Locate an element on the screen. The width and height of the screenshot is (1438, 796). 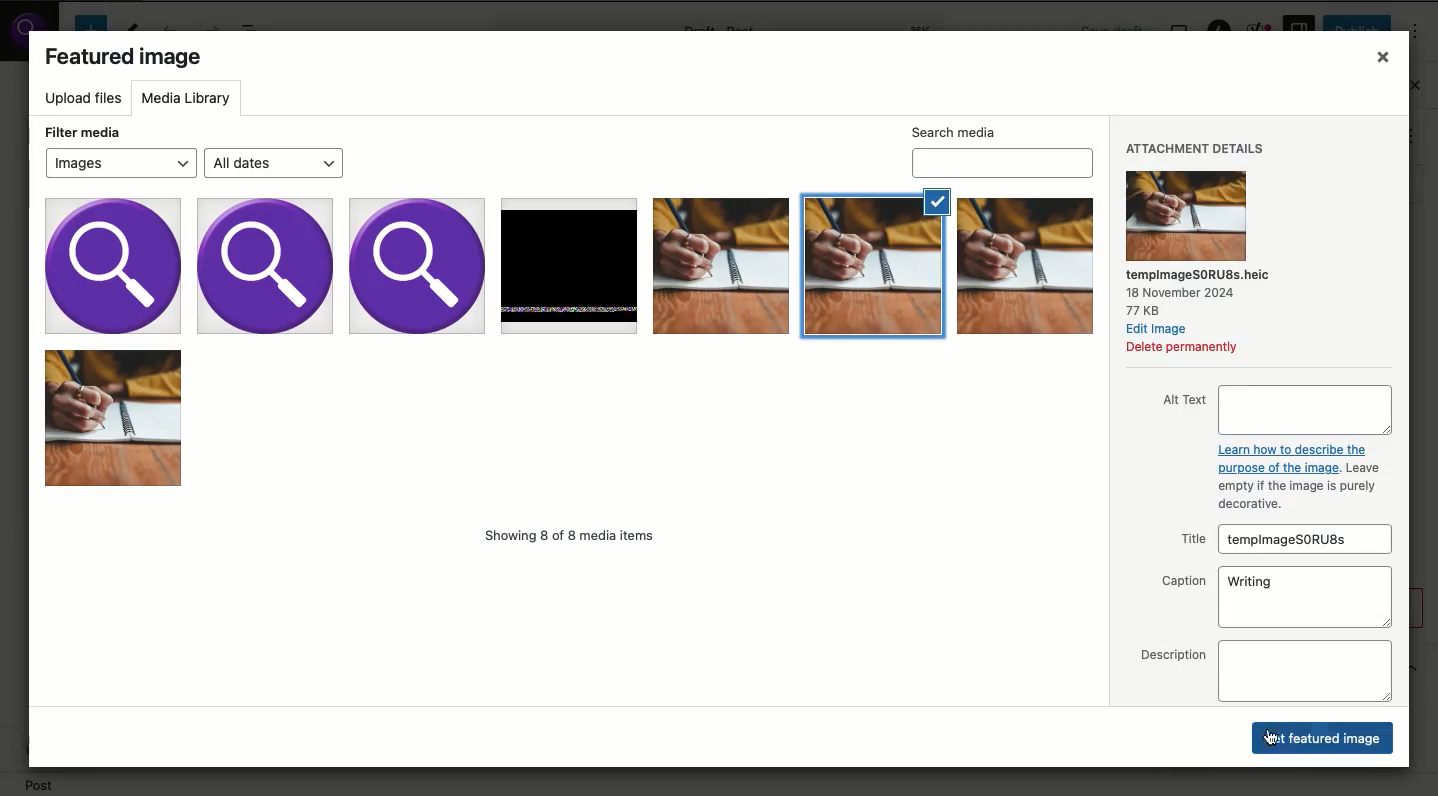
Image is located at coordinates (114, 418).